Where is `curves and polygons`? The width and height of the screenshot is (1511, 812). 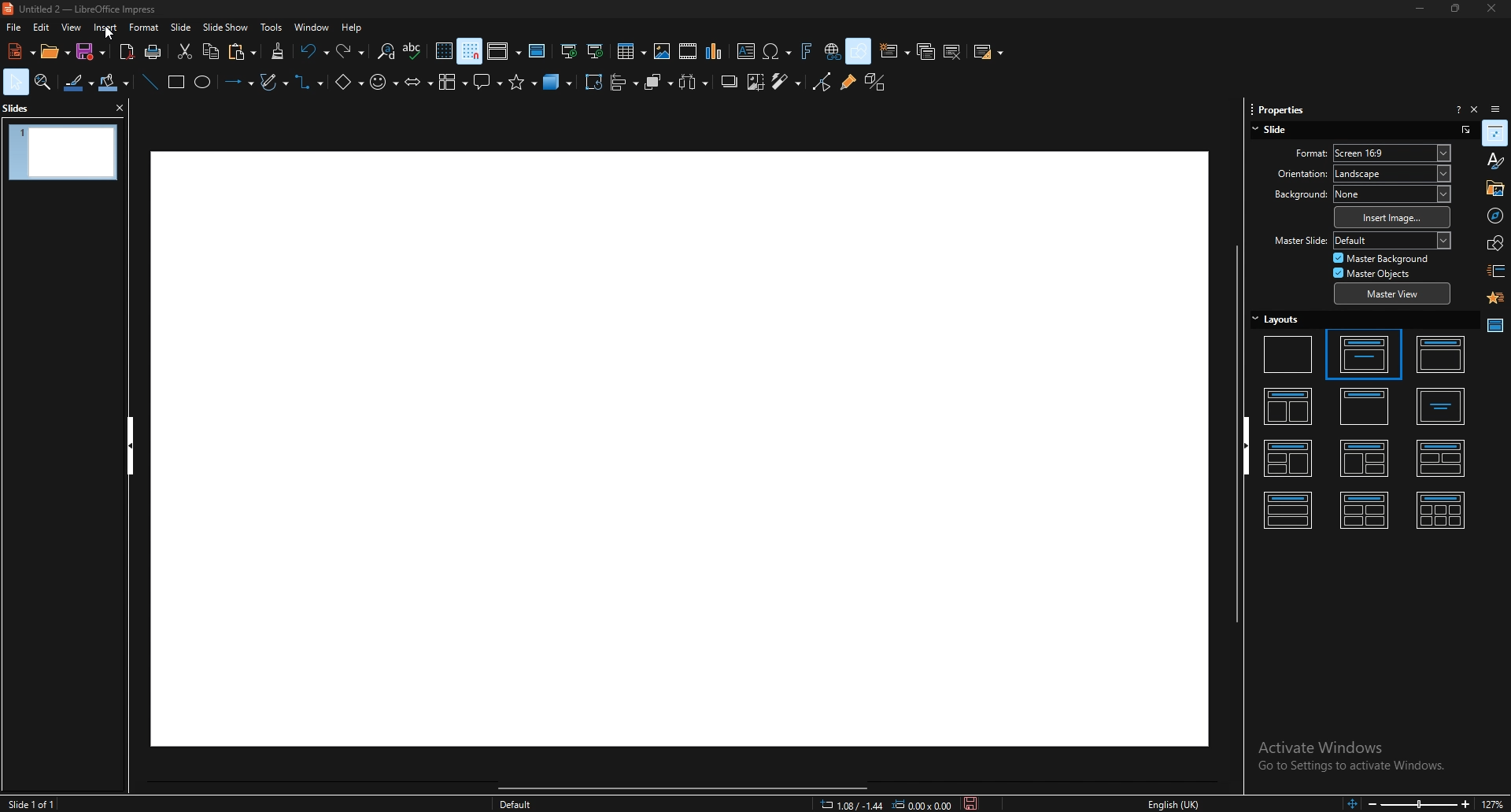 curves and polygons is located at coordinates (275, 81).